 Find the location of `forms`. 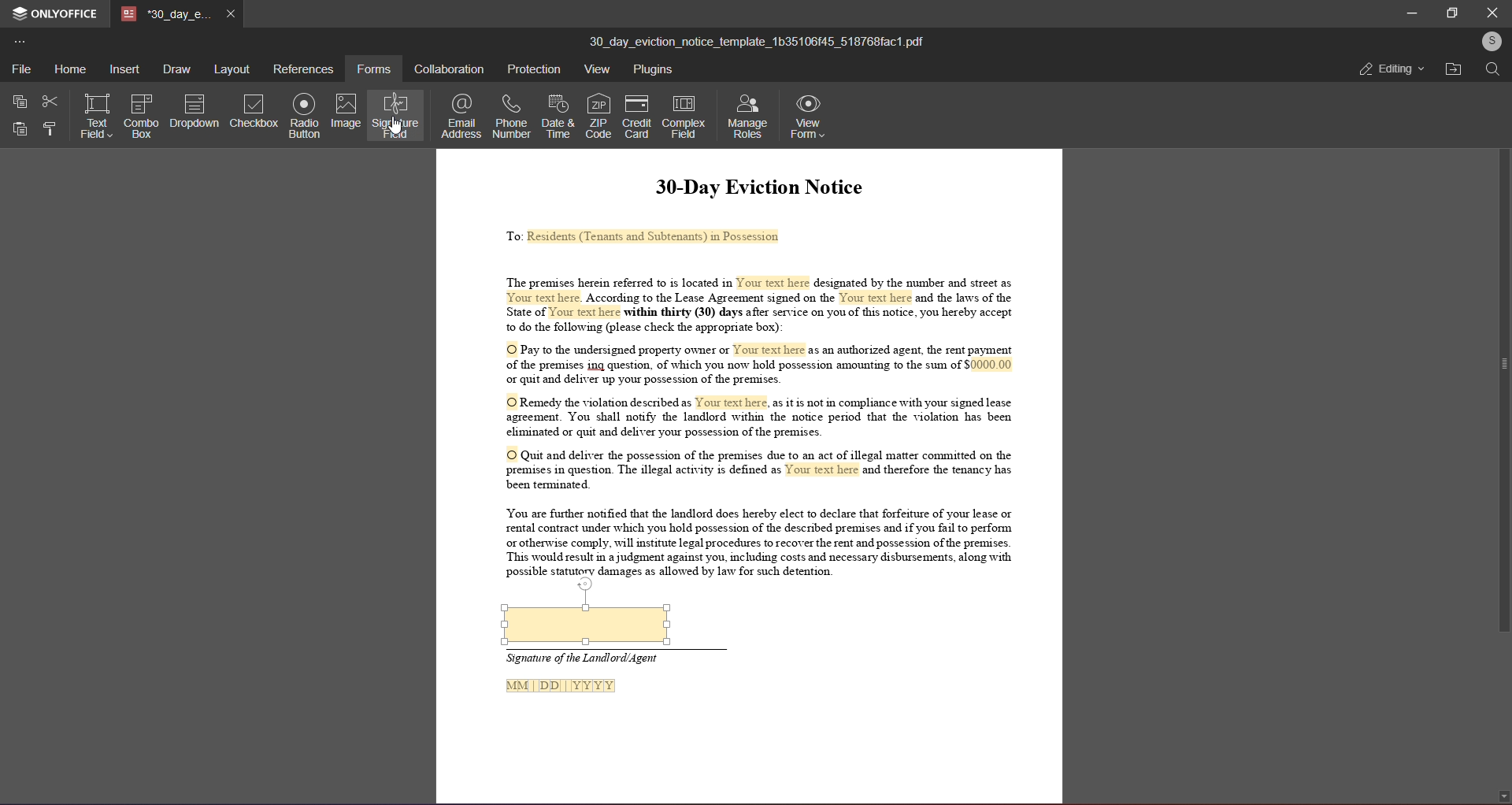

forms is located at coordinates (376, 67).